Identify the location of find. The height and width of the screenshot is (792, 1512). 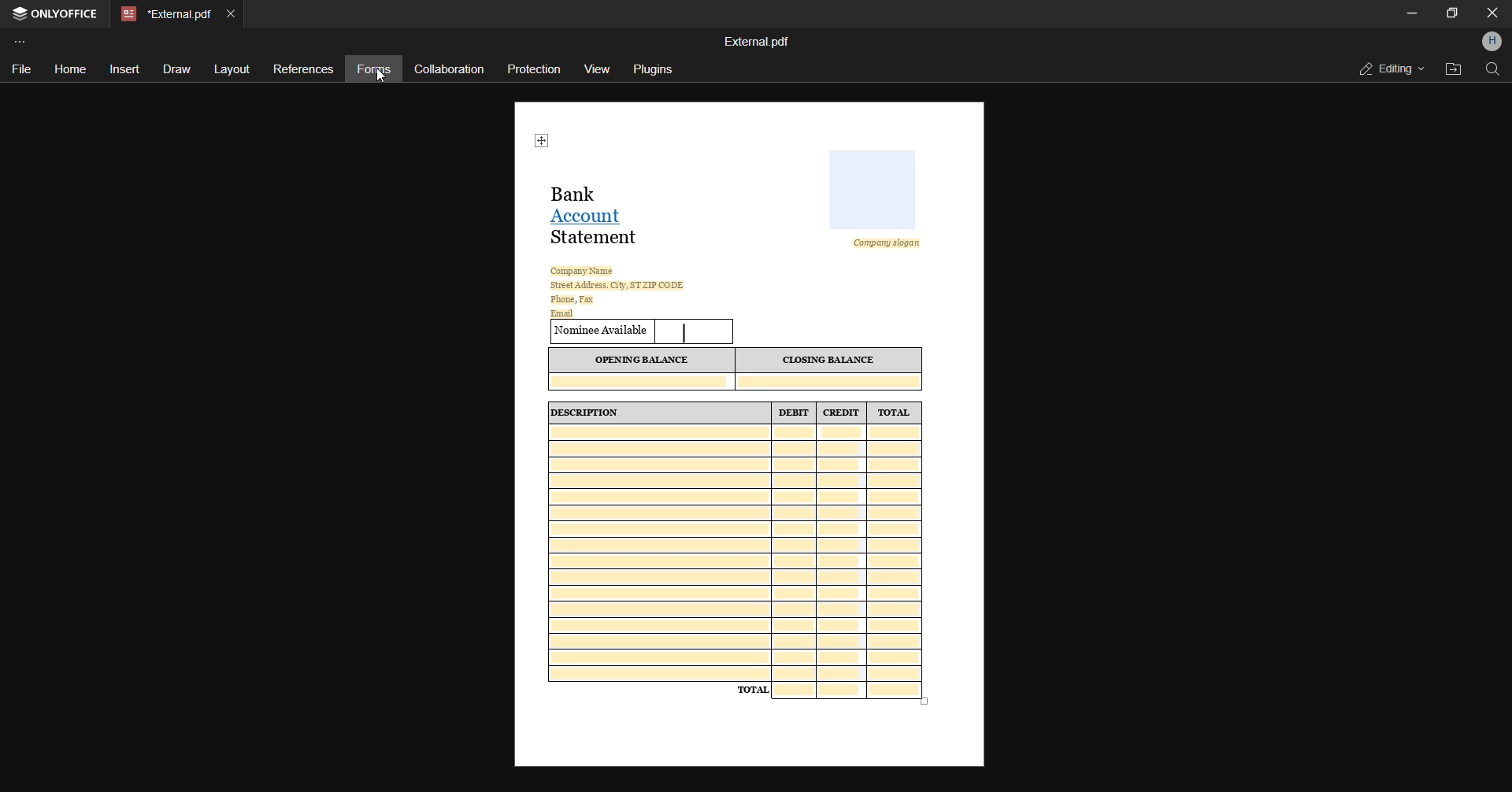
(1493, 72).